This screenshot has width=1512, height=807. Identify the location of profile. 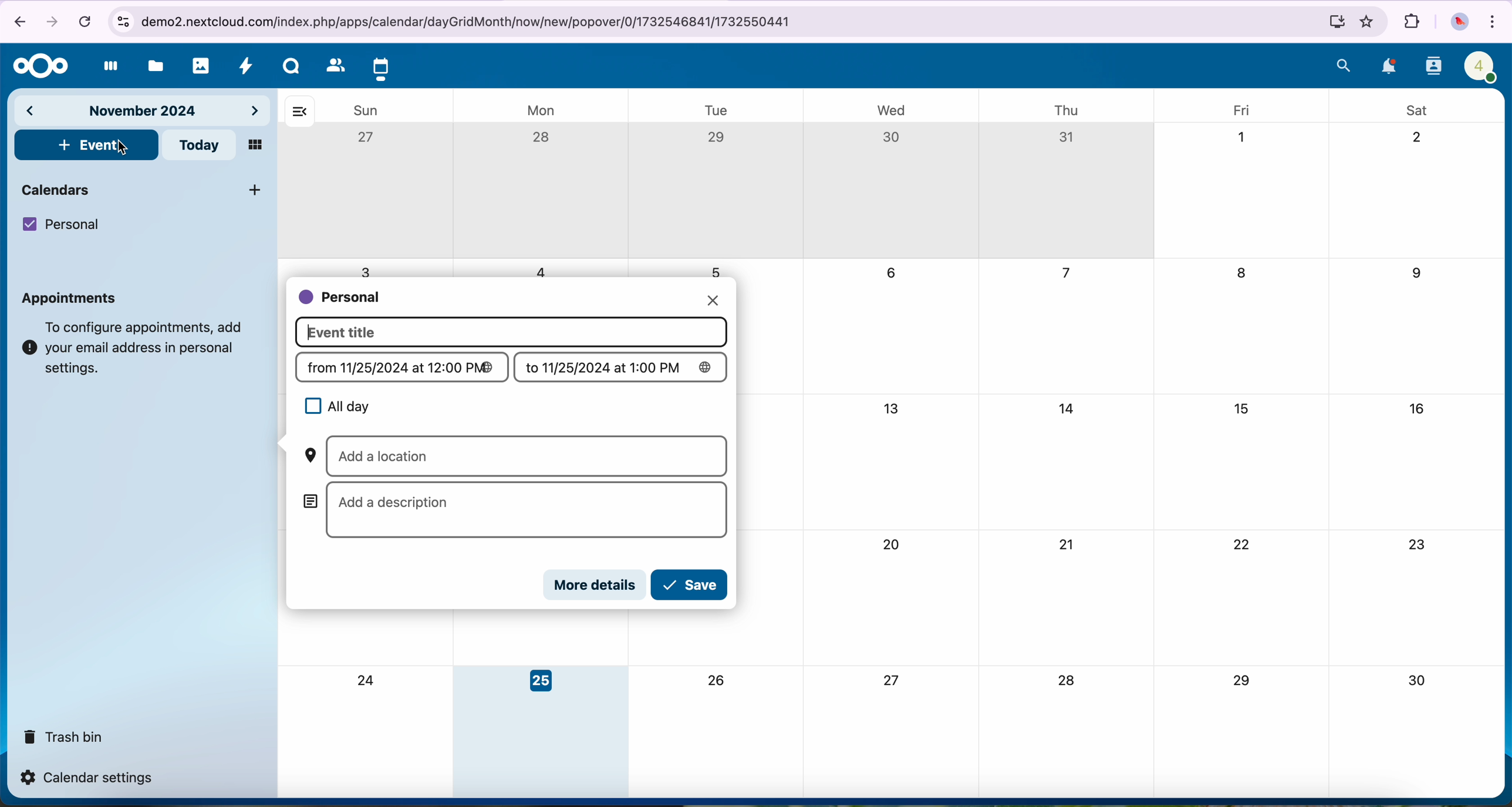
(1481, 66).